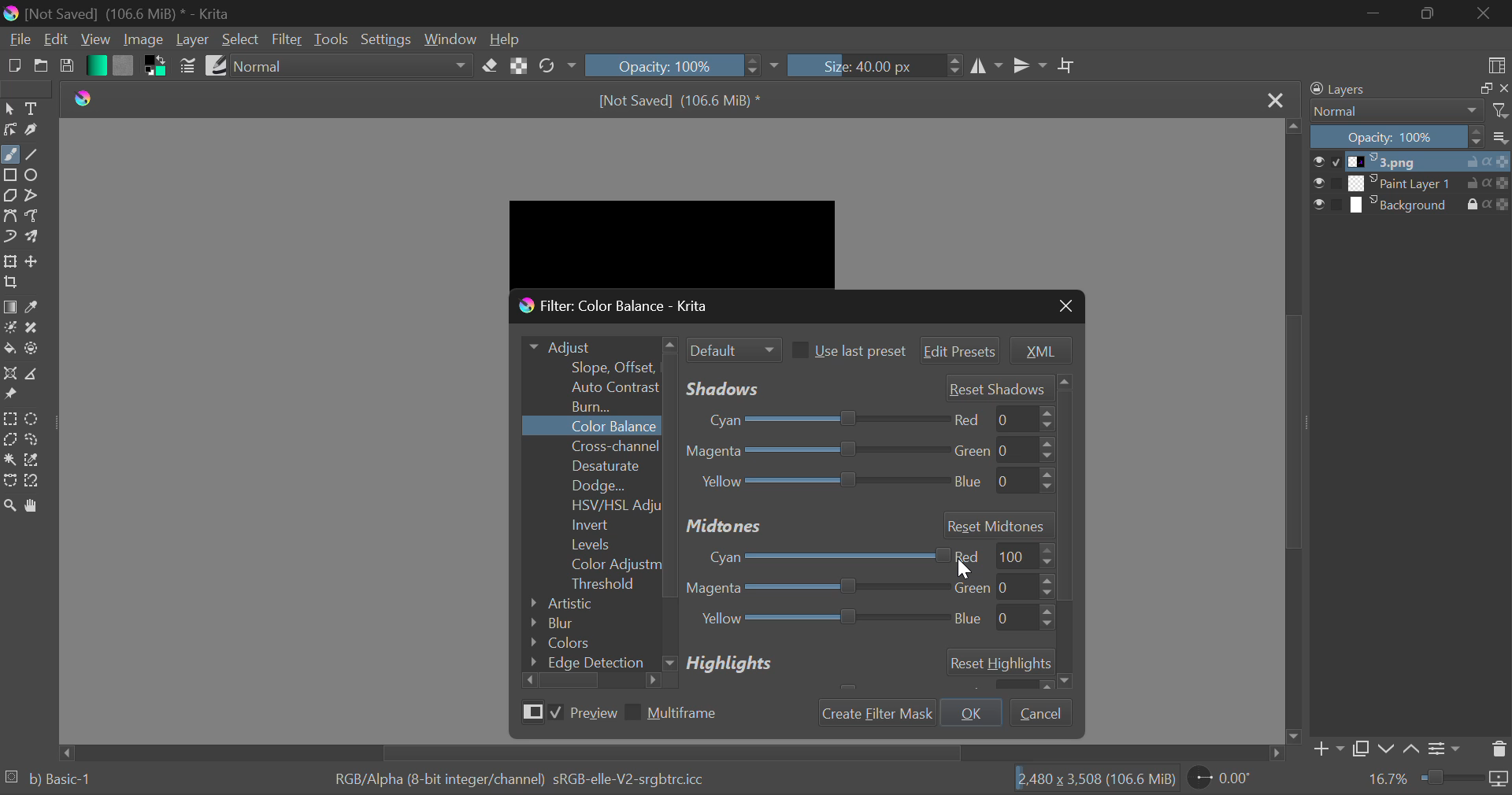 The height and width of the screenshot is (795, 1512). Describe the element at coordinates (14, 68) in the screenshot. I see `New` at that location.